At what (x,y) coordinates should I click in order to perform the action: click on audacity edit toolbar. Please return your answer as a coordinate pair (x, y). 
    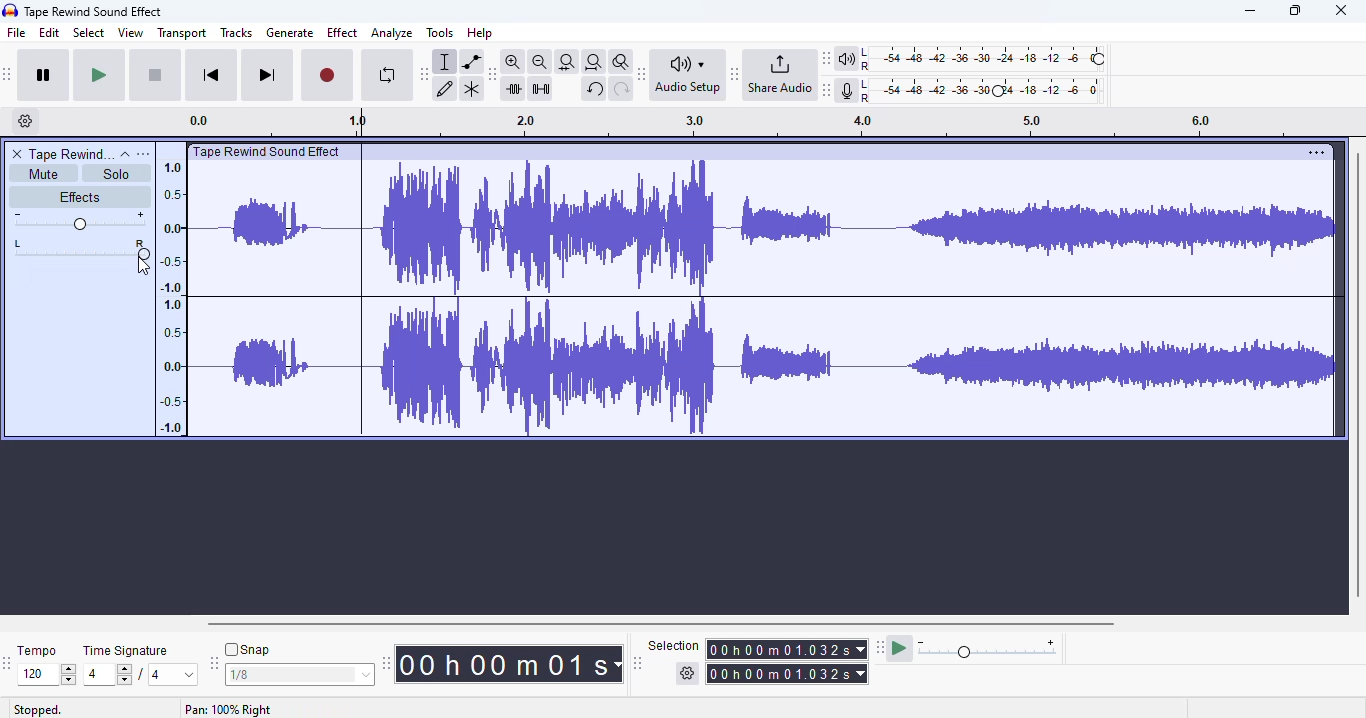
    Looking at the image, I should click on (490, 75).